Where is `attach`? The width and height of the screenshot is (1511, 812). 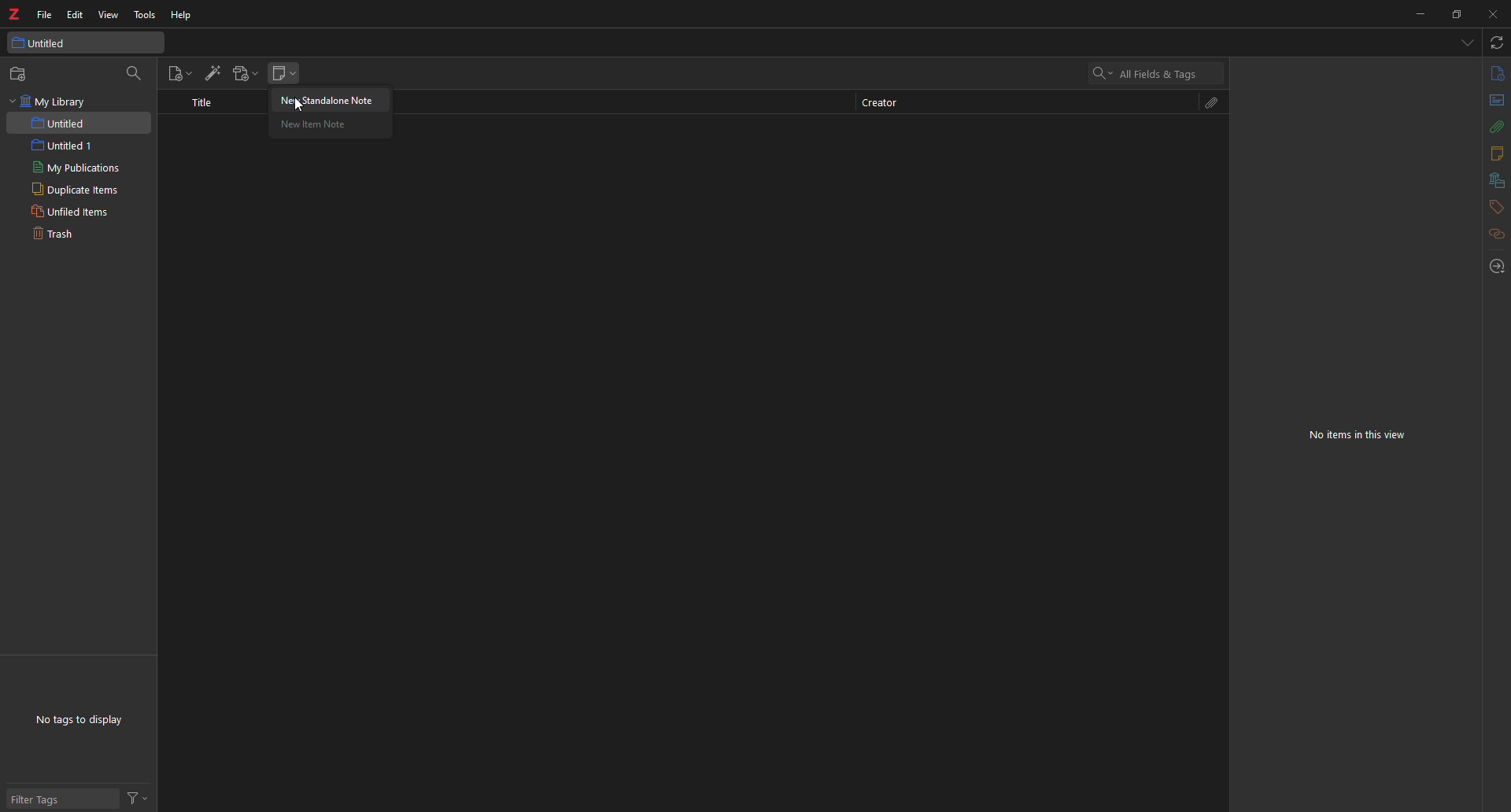 attach is located at coordinates (1212, 102).